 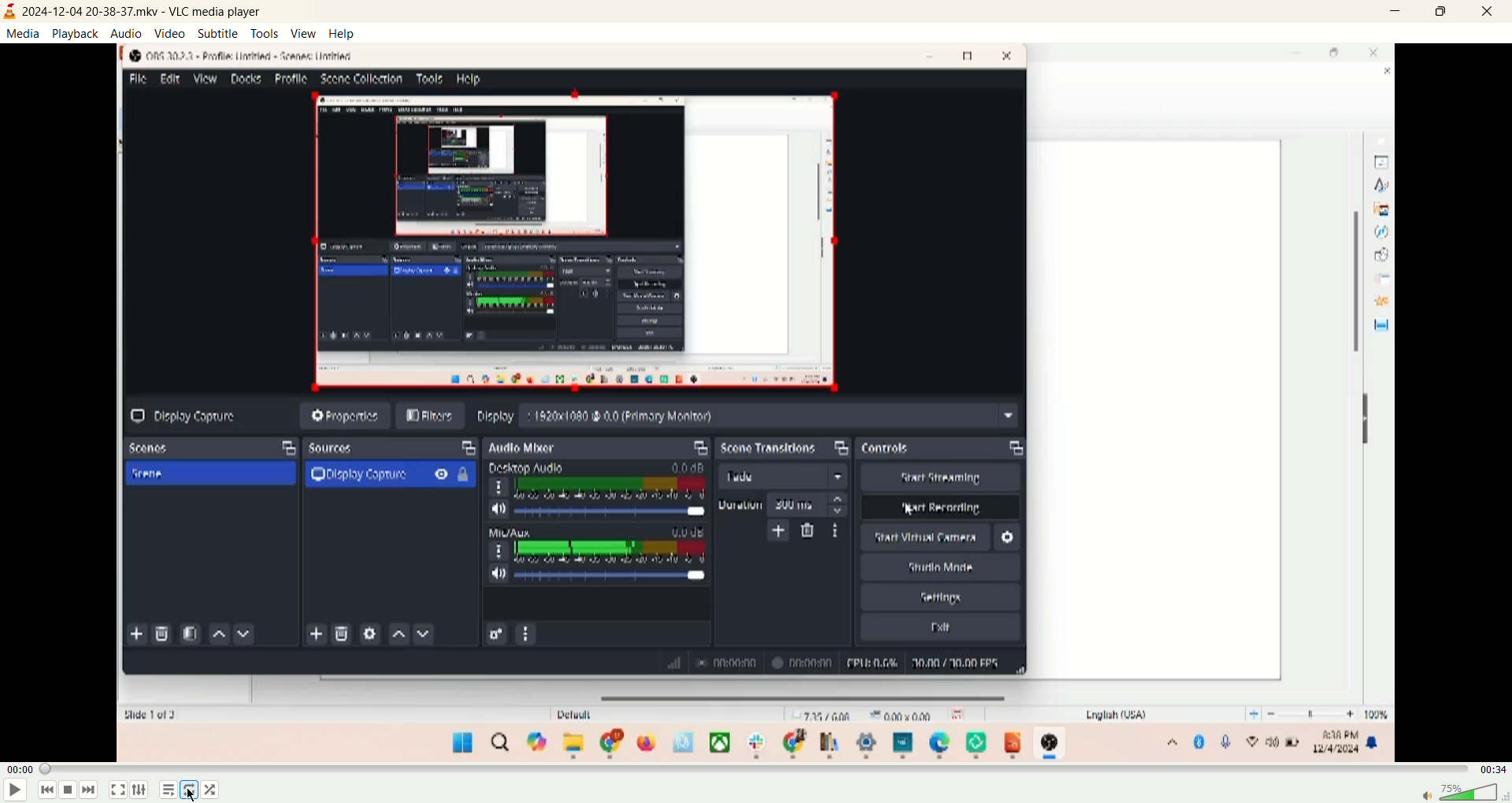 What do you see at coordinates (74, 35) in the screenshot?
I see `playback` at bounding box center [74, 35].